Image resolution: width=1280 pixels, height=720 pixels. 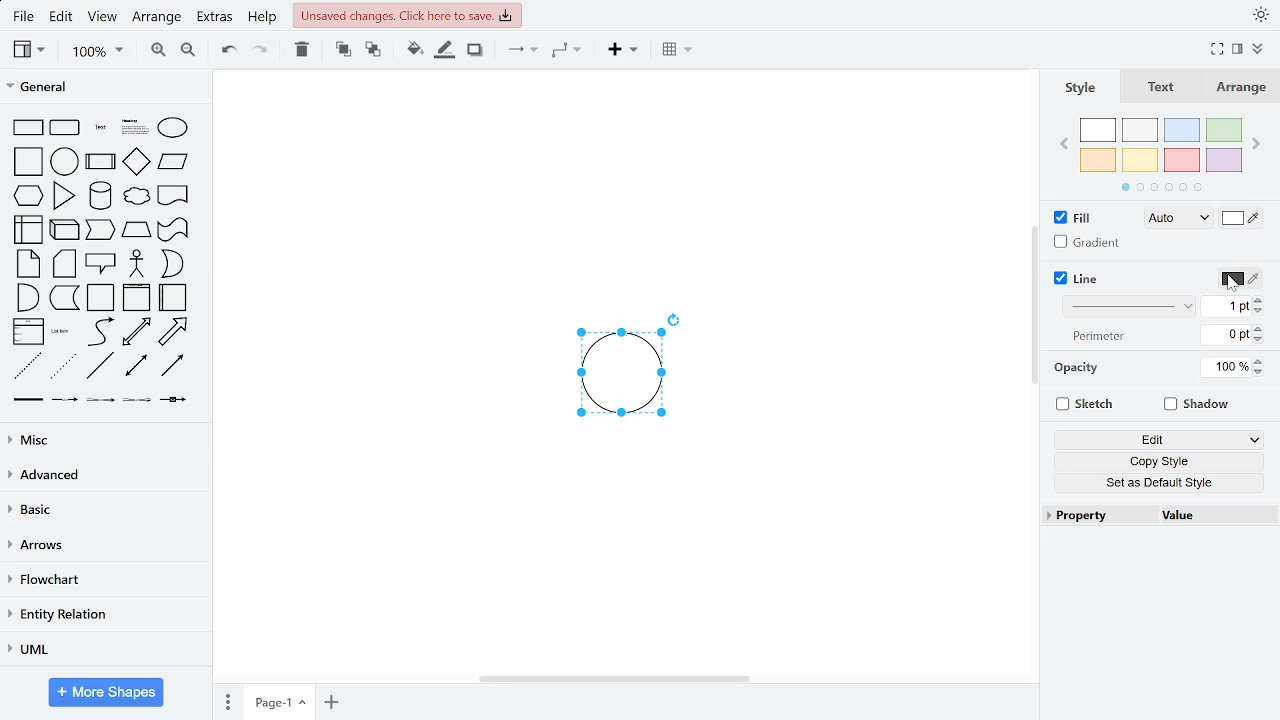 What do you see at coordinates (620, 373) in the screenshot?
I see `circle added` at bounding box center [620, 373].